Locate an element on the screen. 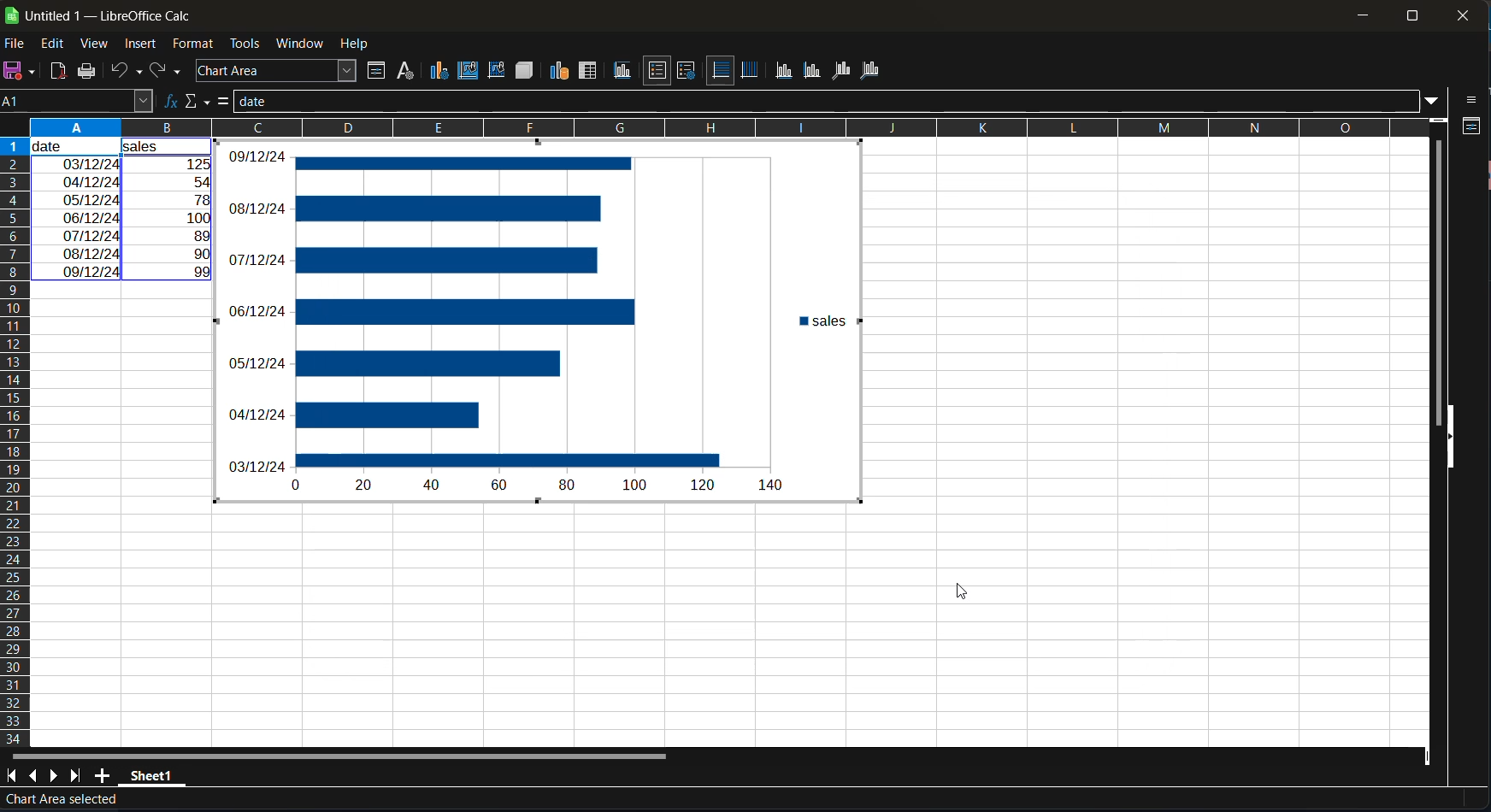  x axis is located at coordinates (787, 70).